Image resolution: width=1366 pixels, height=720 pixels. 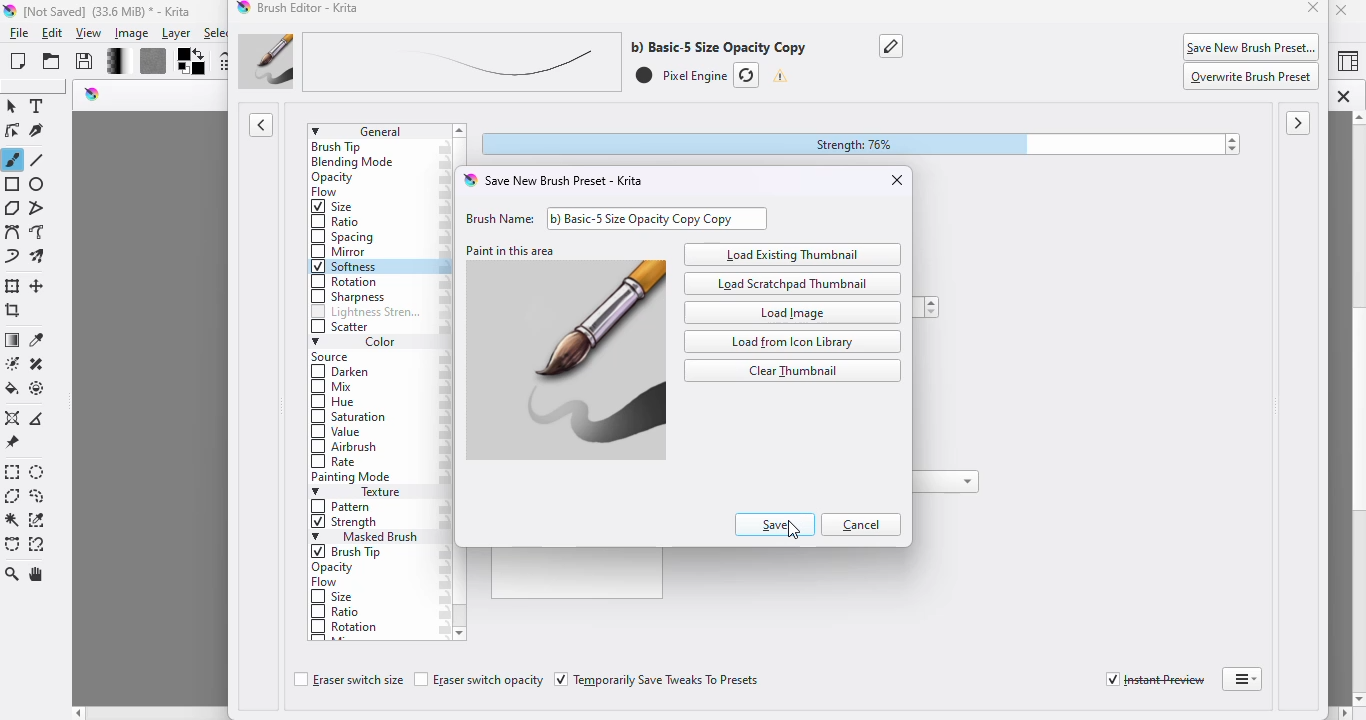 I want to click on brush editor - Krita, so click(x=311, y=8).